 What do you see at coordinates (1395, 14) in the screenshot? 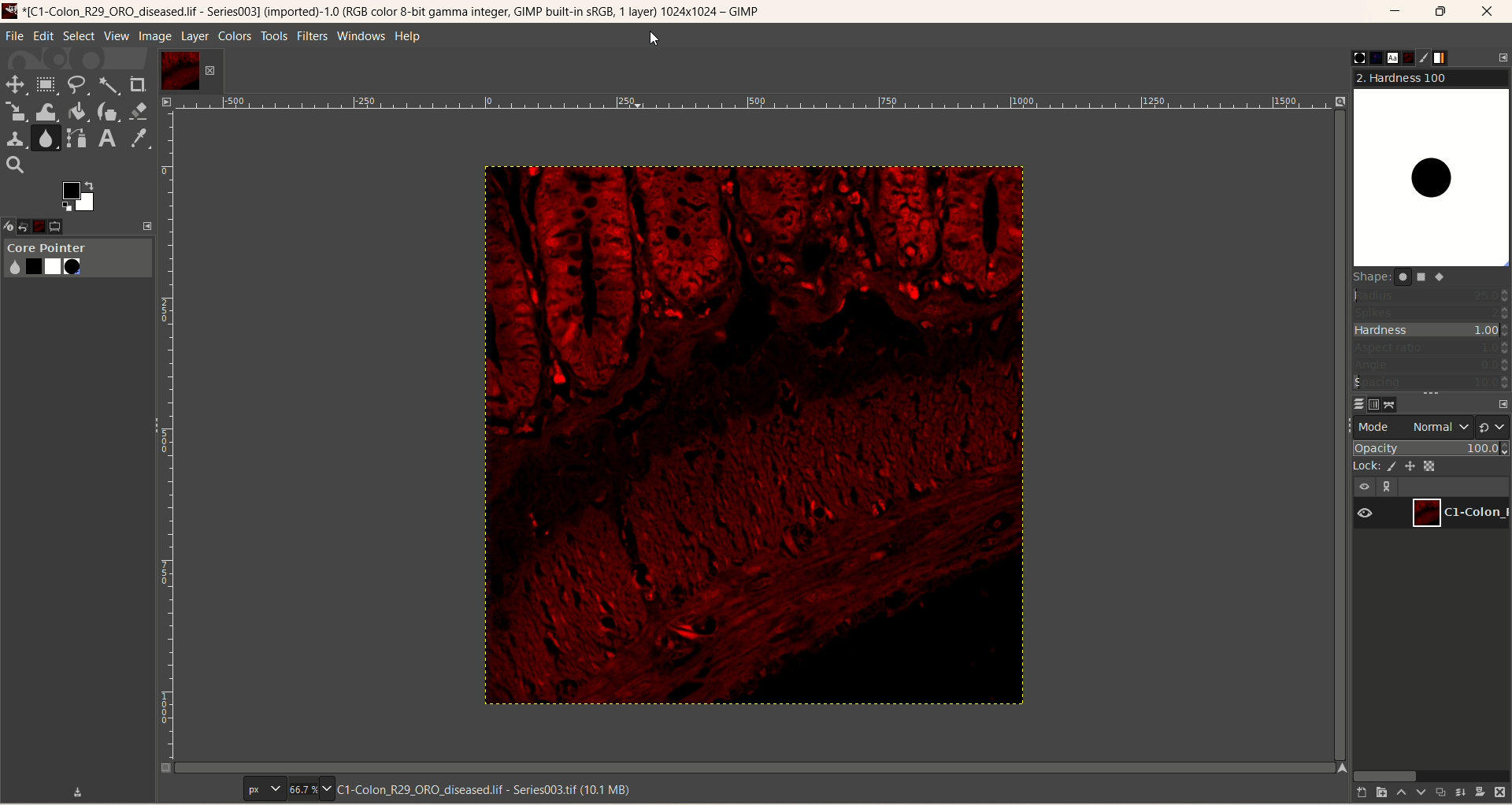
I see `minimize` at bounding box center [1395, 14].